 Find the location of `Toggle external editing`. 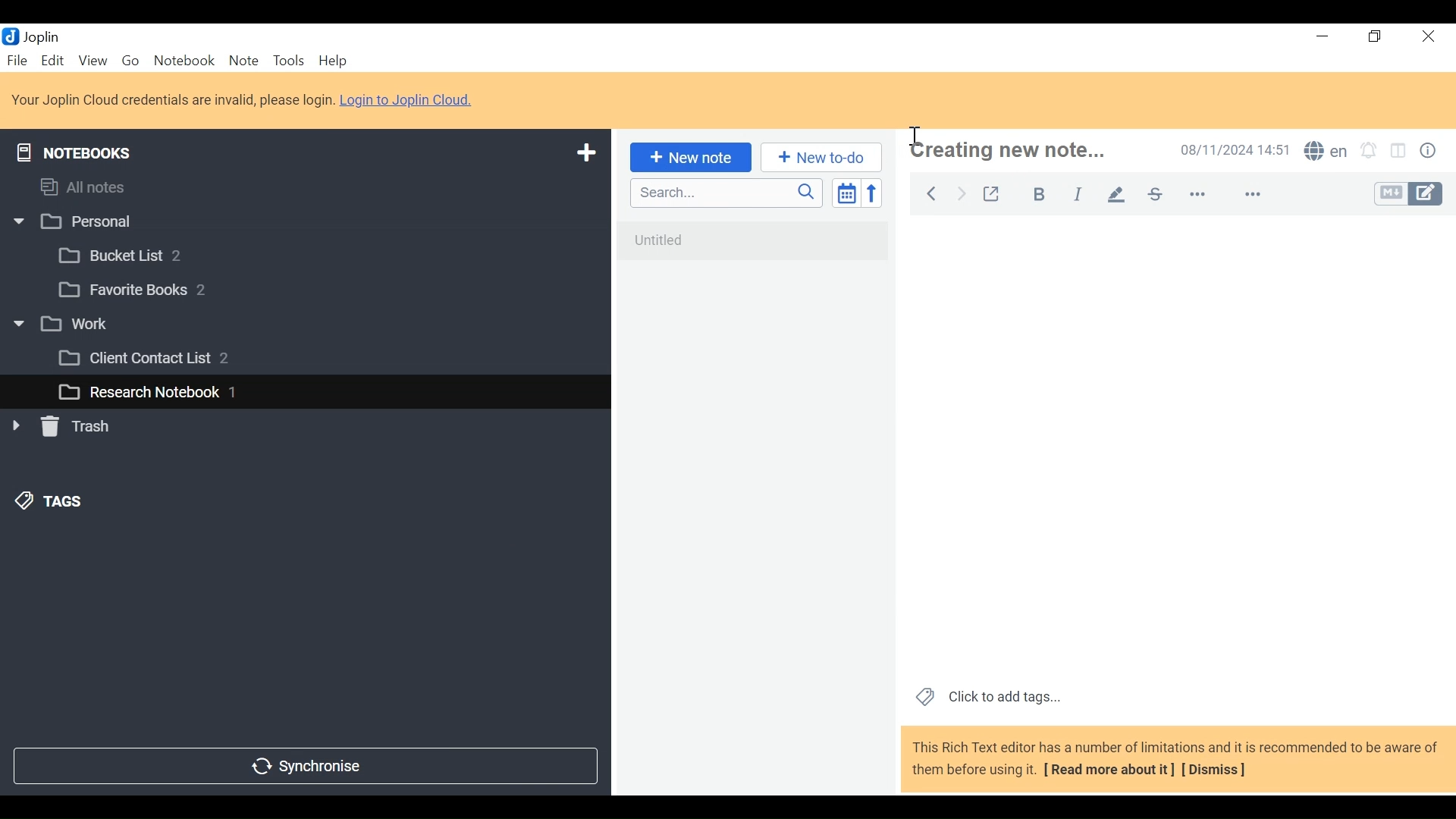

Toggle external editing is located at coordinates (991, 191).